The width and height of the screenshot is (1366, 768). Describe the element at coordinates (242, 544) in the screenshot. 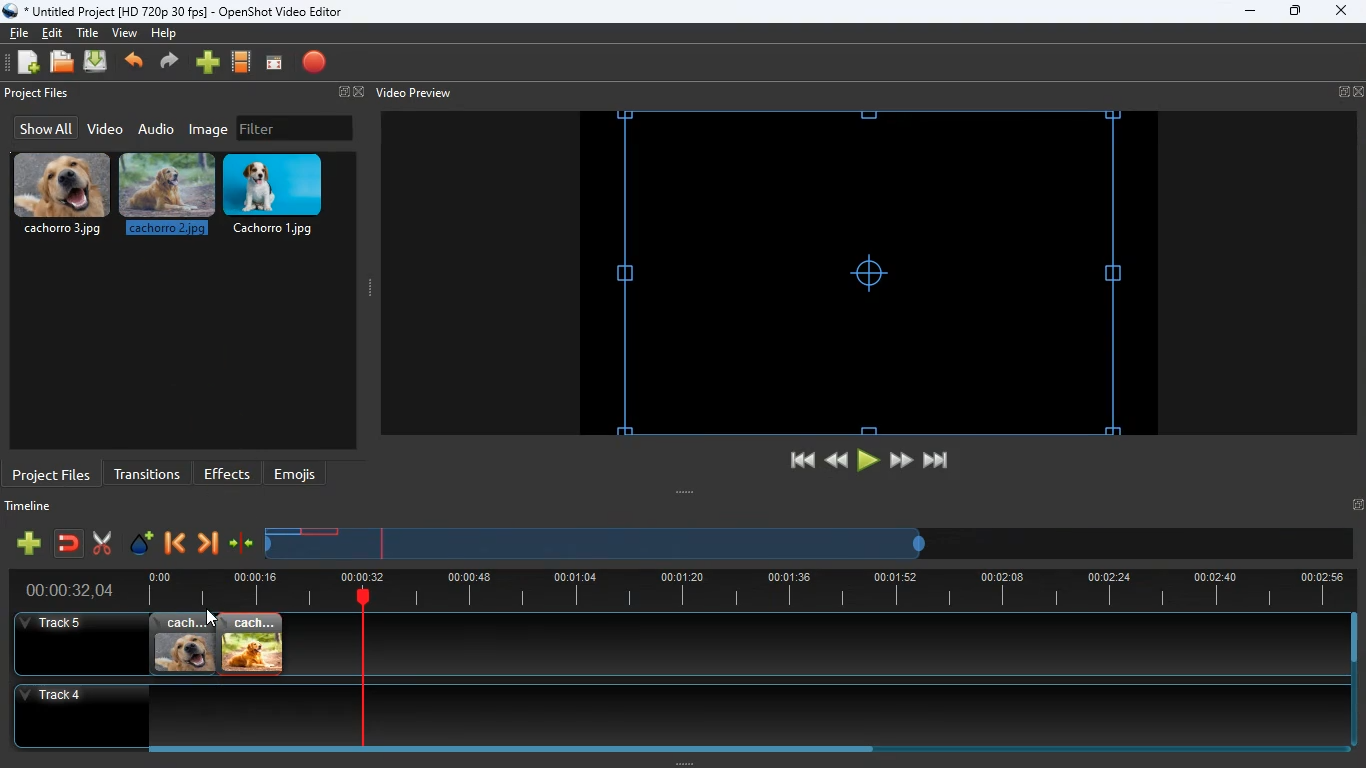

I see `compress` at that location.